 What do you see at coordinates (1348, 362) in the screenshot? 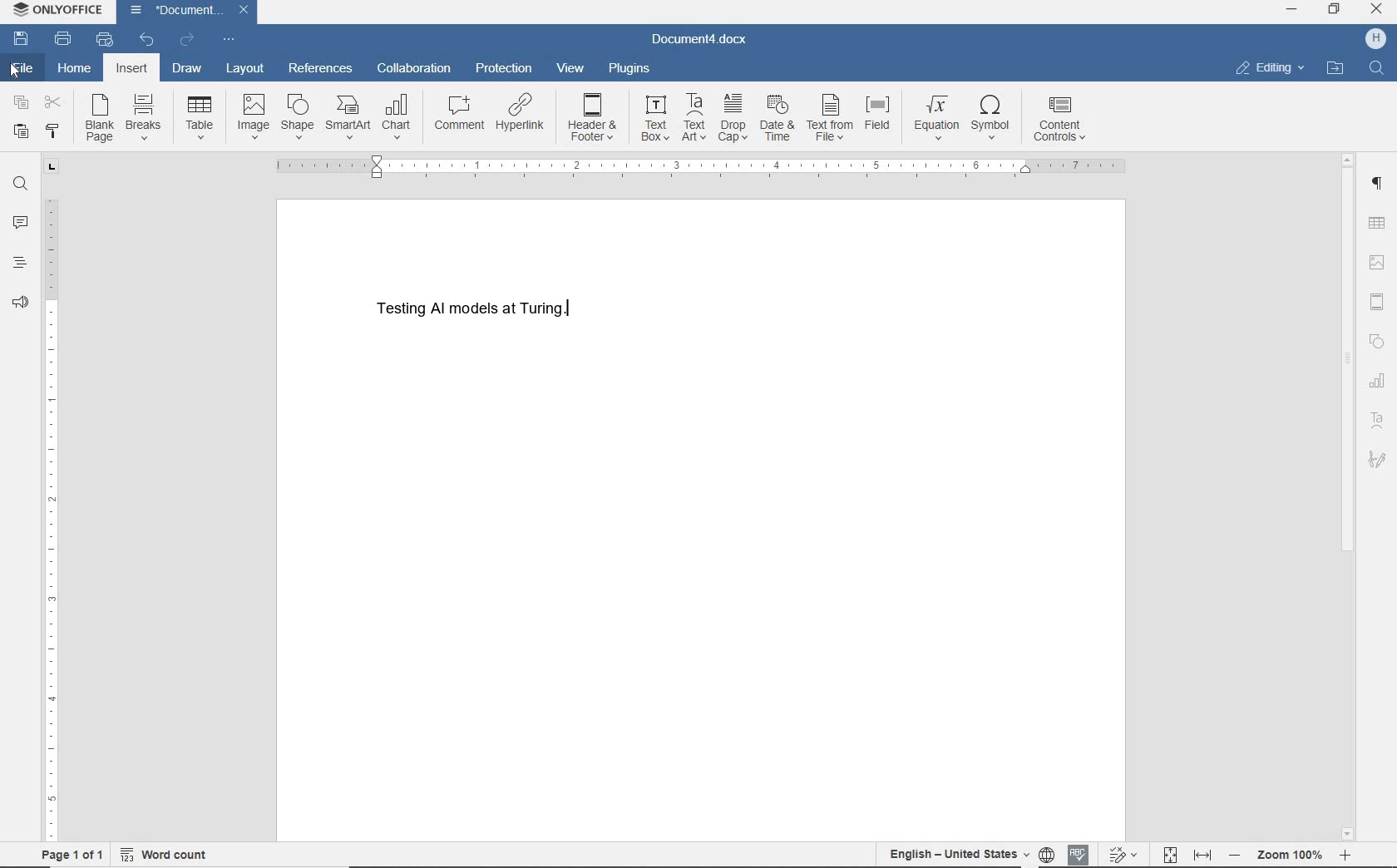
I see `srollbar` at bounding box center [1348, 362].